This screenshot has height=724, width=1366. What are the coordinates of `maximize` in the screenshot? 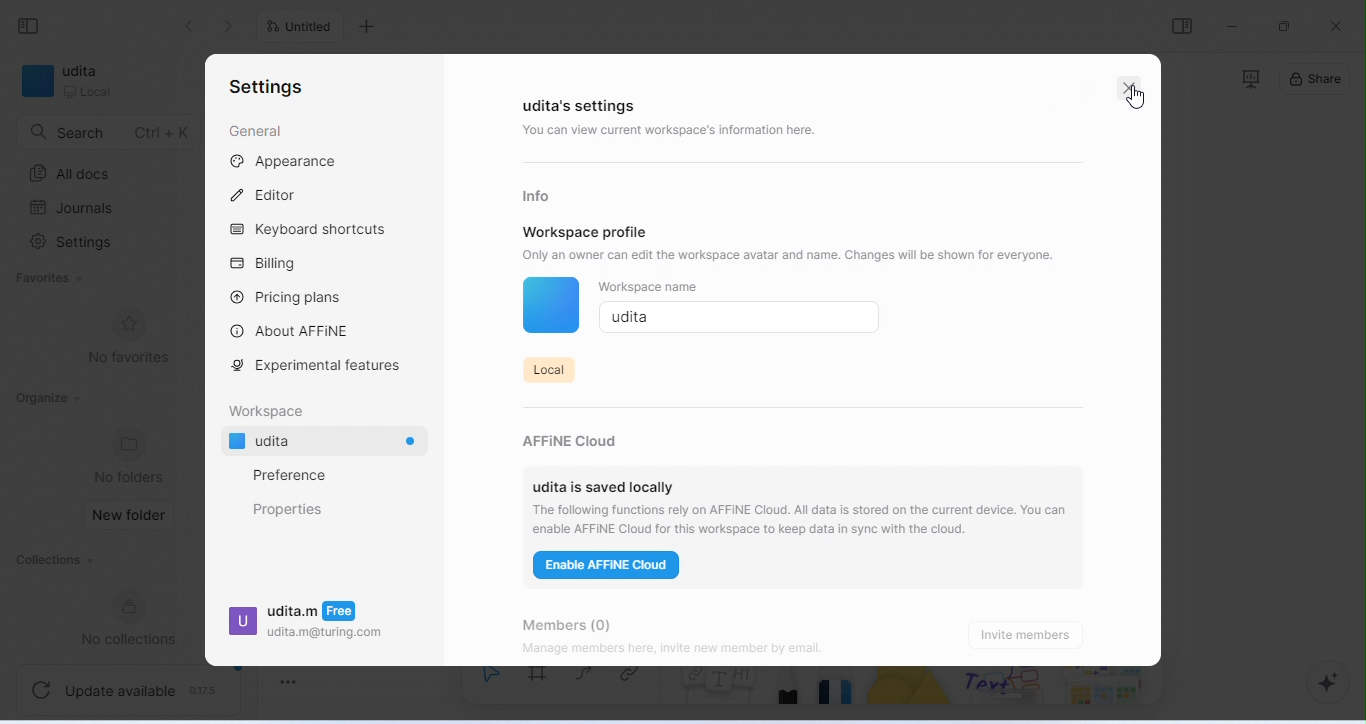 It's located at (1287, 25).